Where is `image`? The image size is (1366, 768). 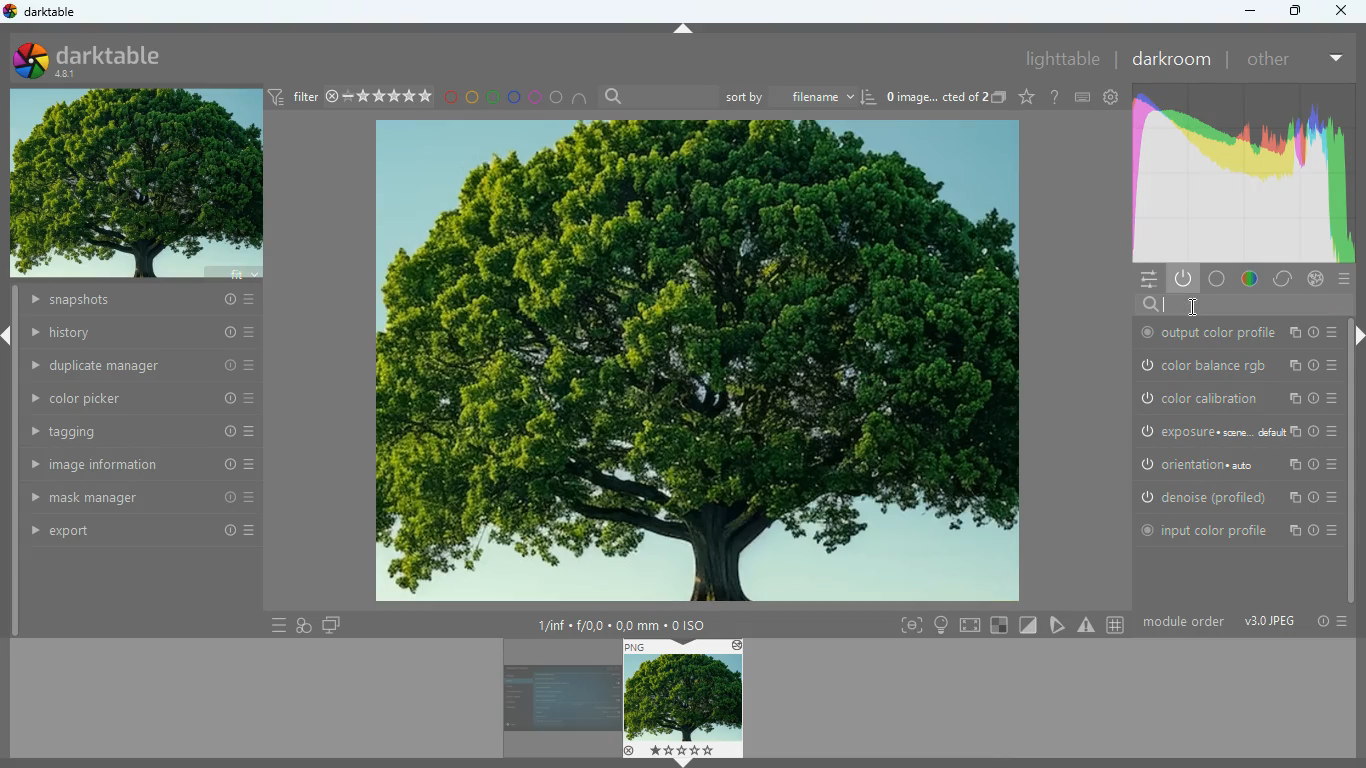
image is located at coordinates (134, 182).